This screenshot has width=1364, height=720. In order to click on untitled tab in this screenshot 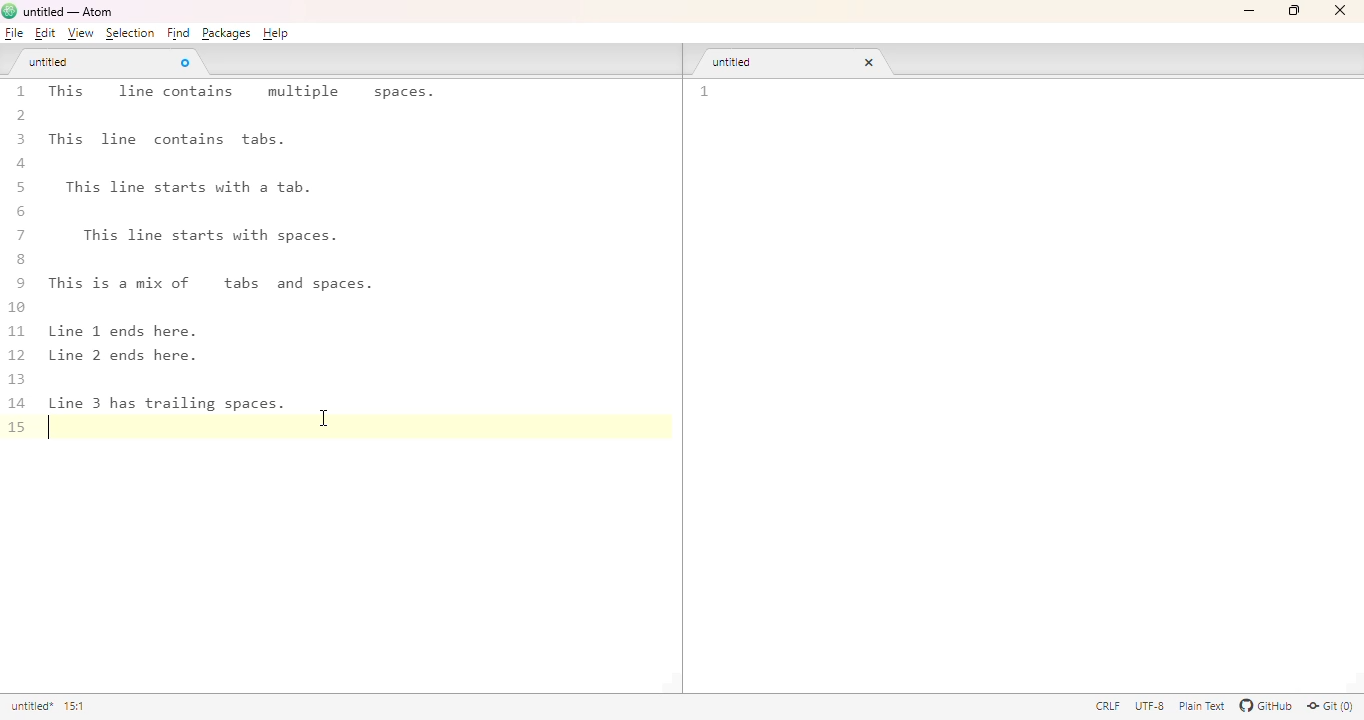, I will do `click(49, 61)`.